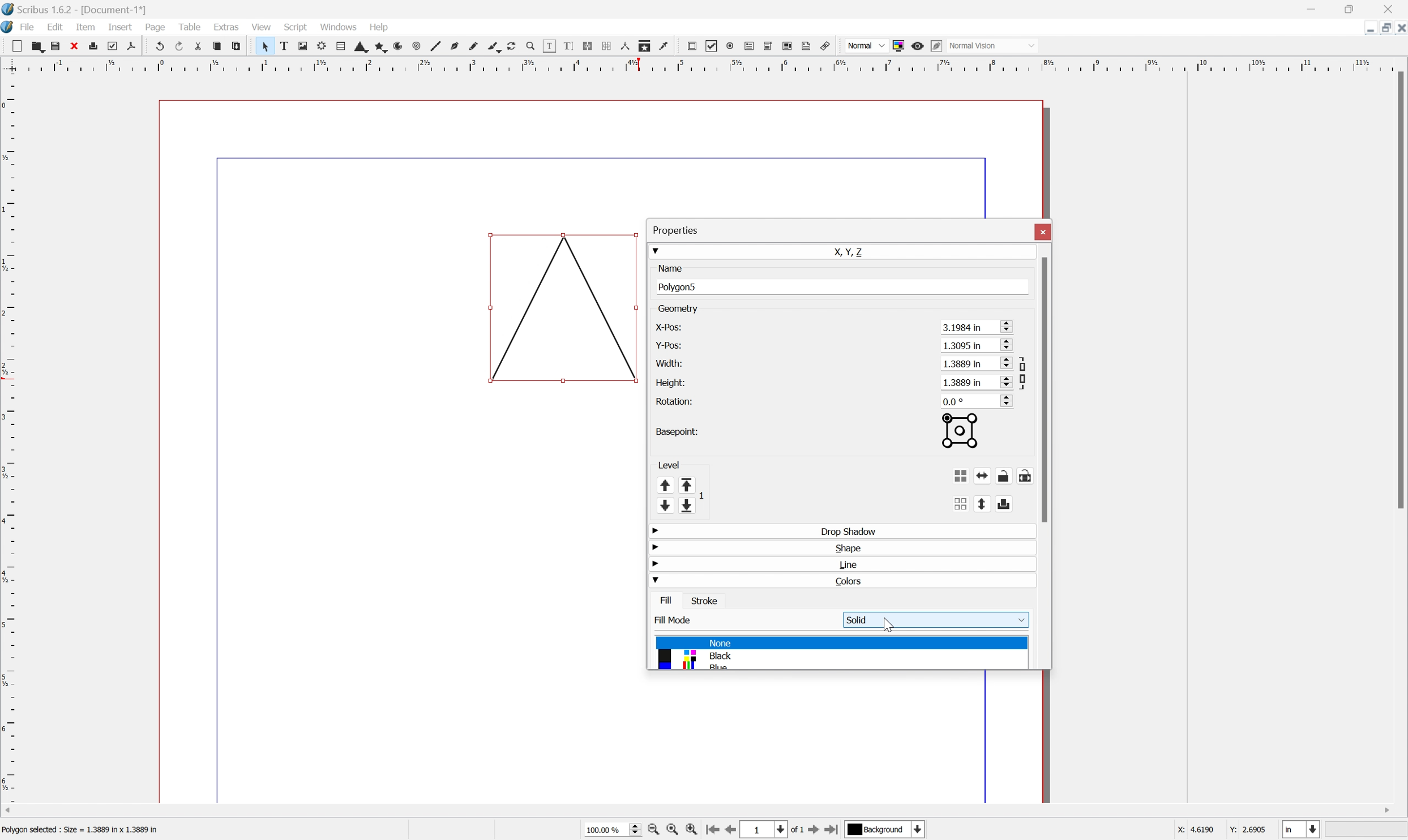  Describe the element at coordinates (655, 581) in the screenshot. I see `Drop Down` at that location.